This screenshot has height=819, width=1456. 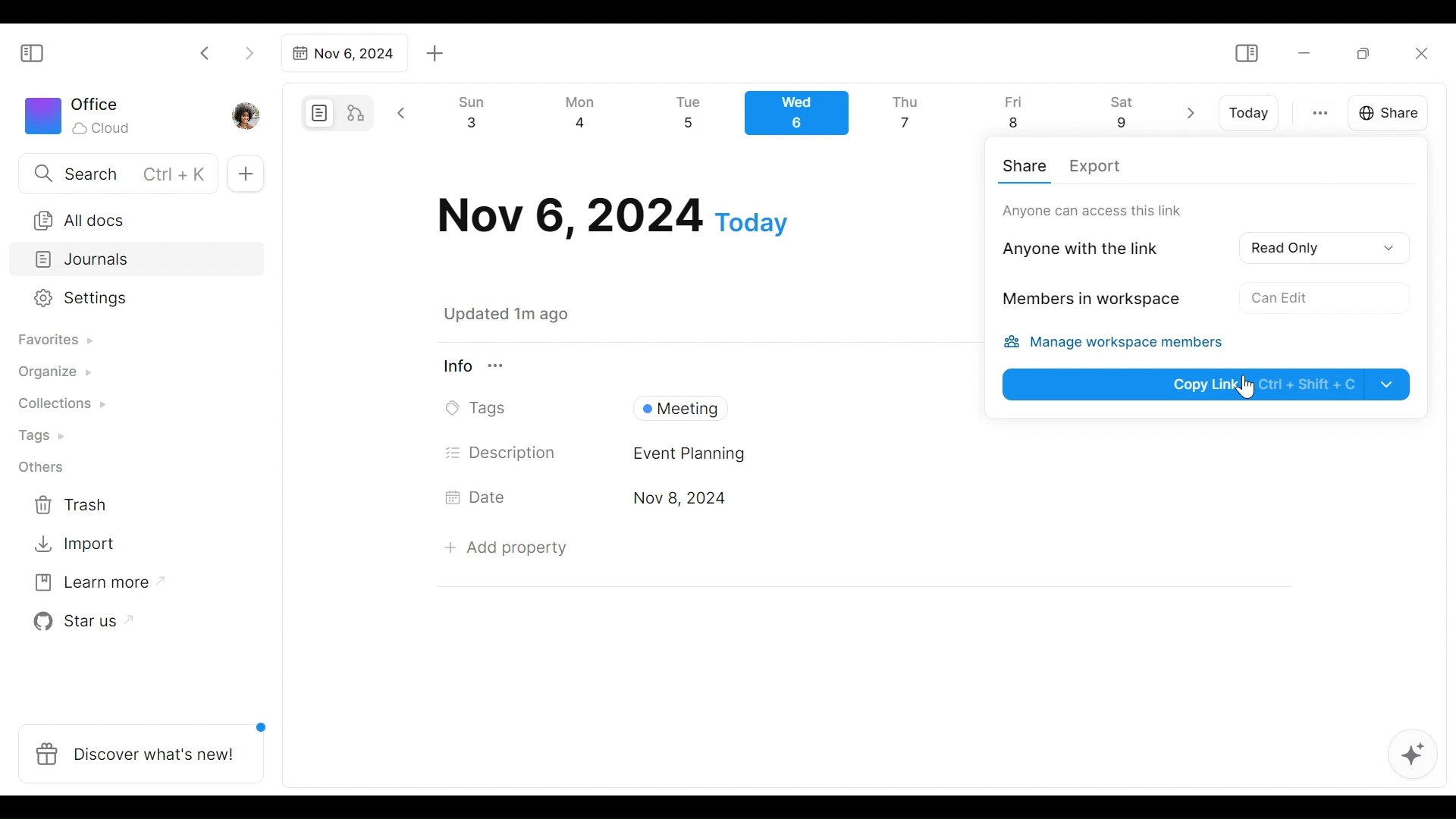 I want to click on Desciption Field, so click(x=959, y=453).